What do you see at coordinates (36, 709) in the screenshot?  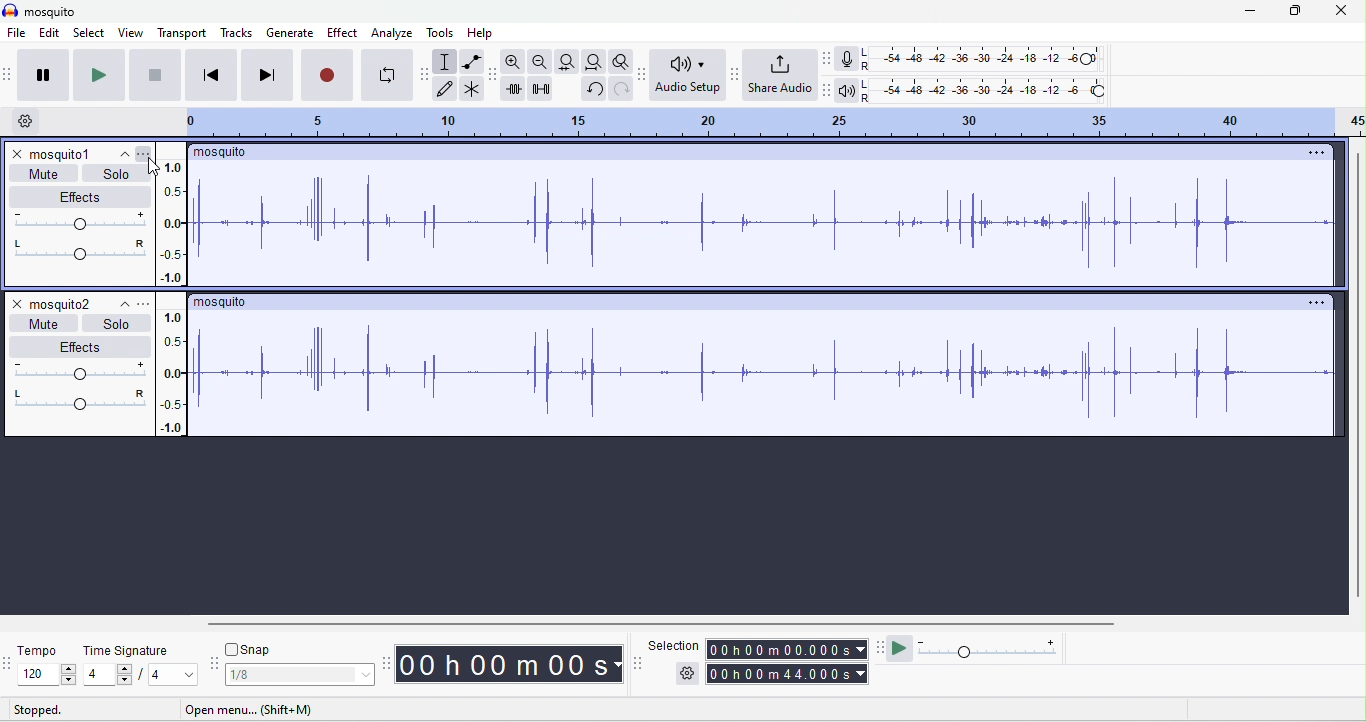 I see `stopped` at bounding box center [36, 709].